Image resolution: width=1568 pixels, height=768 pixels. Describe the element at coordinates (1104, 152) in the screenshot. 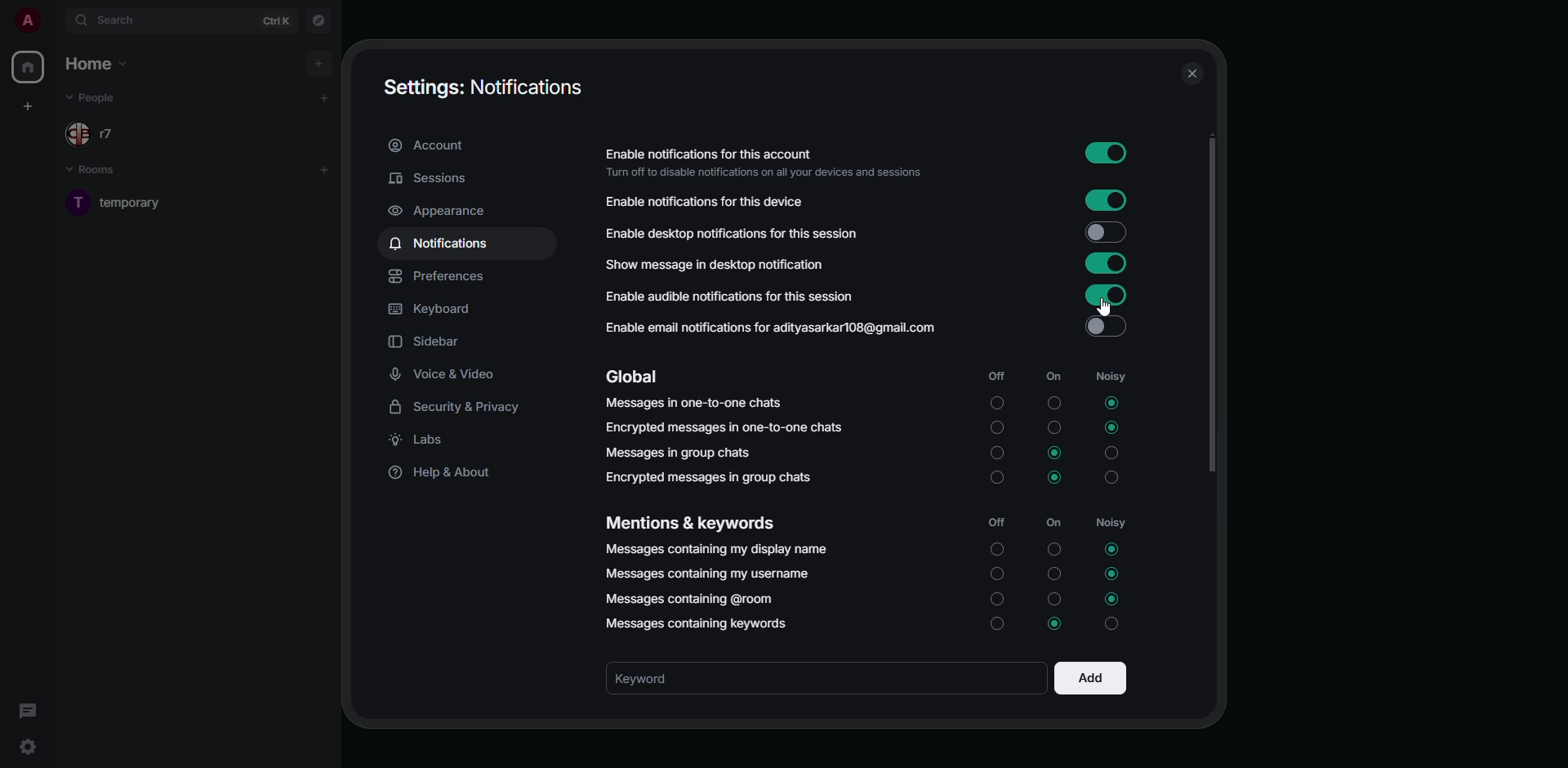

I see `enable` at that location.